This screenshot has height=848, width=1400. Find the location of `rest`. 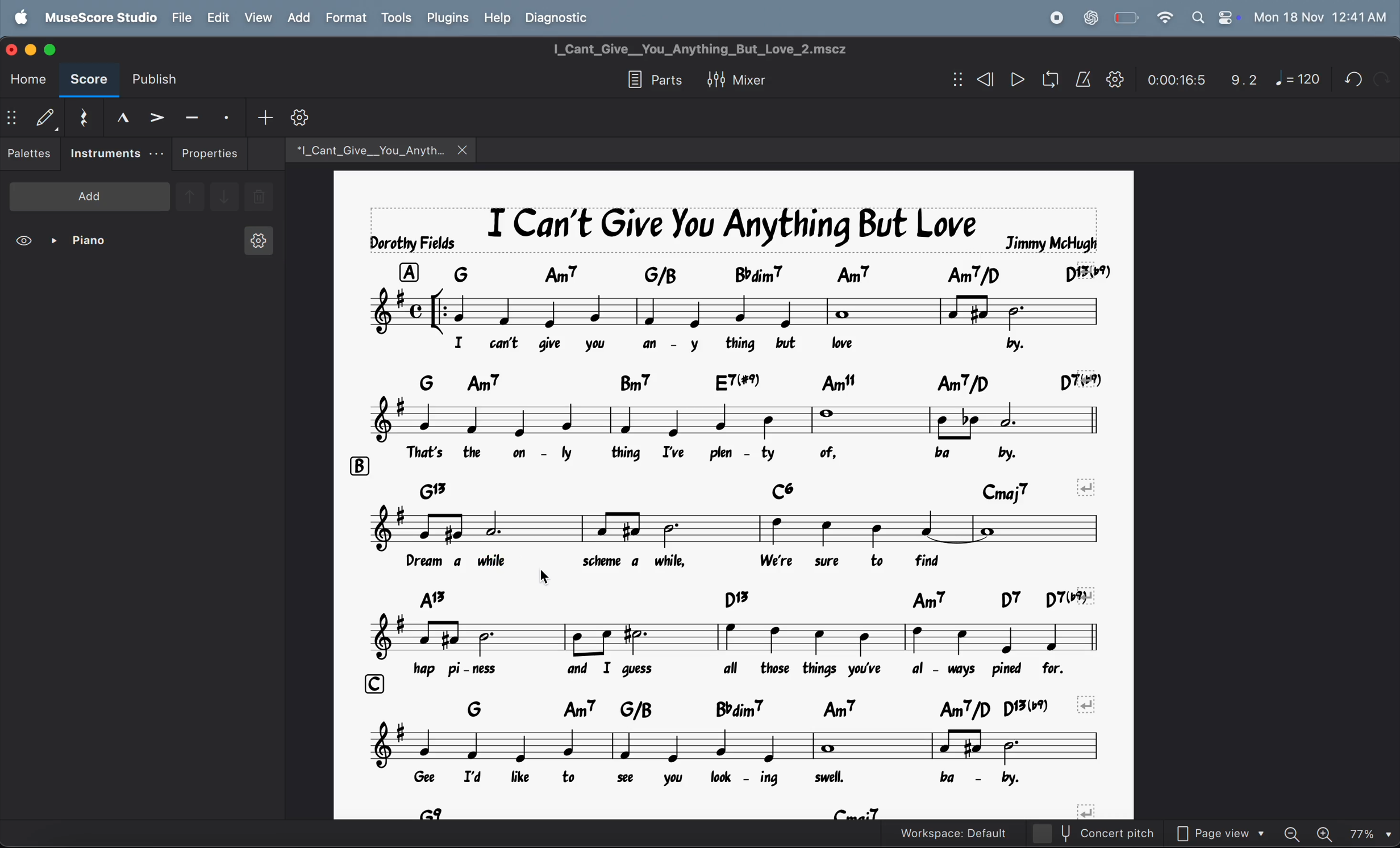

rest is located at coordinates (81, 115).